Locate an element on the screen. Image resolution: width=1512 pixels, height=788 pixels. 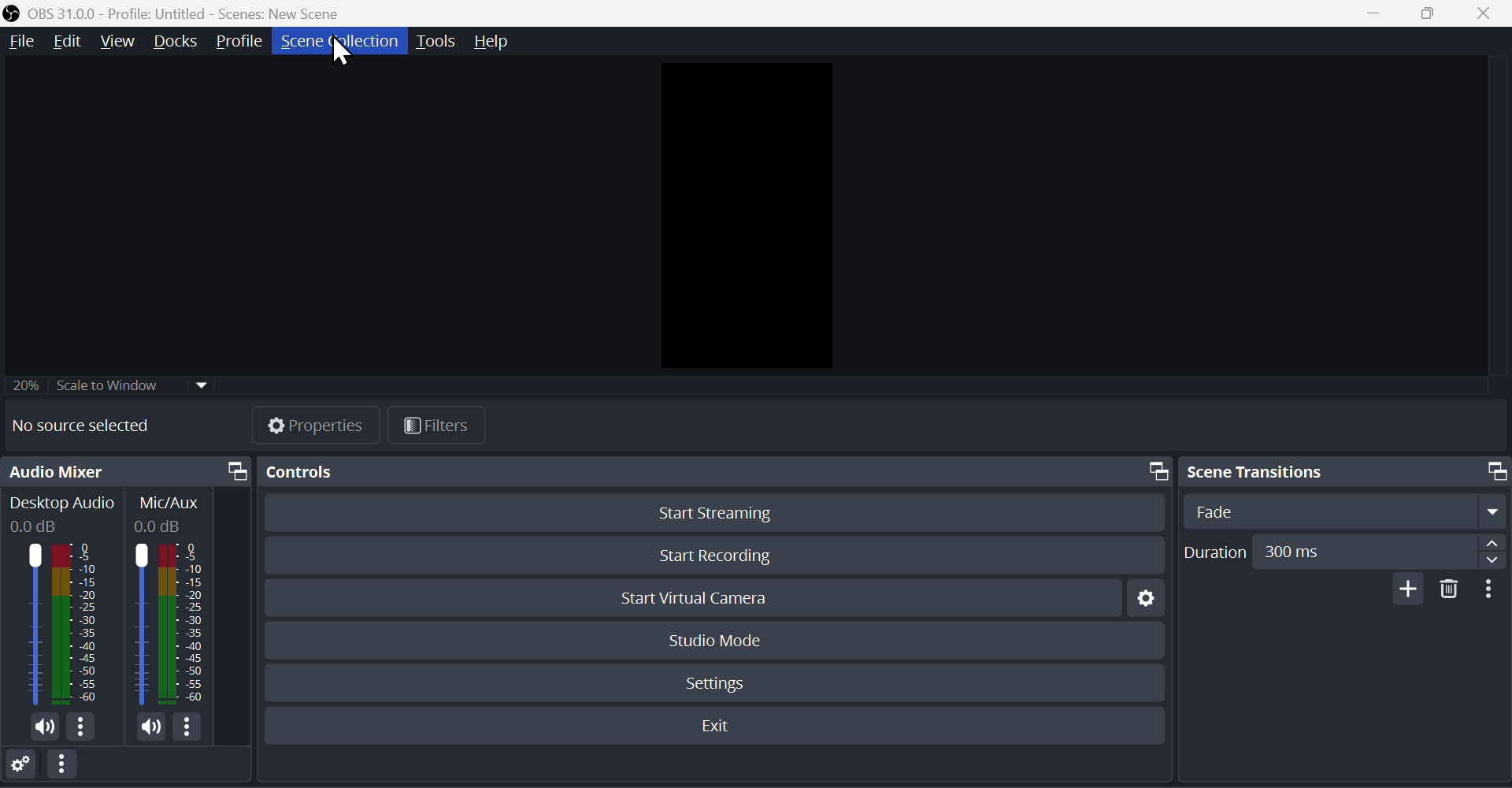
Tools is located at coordinates (438, 39).